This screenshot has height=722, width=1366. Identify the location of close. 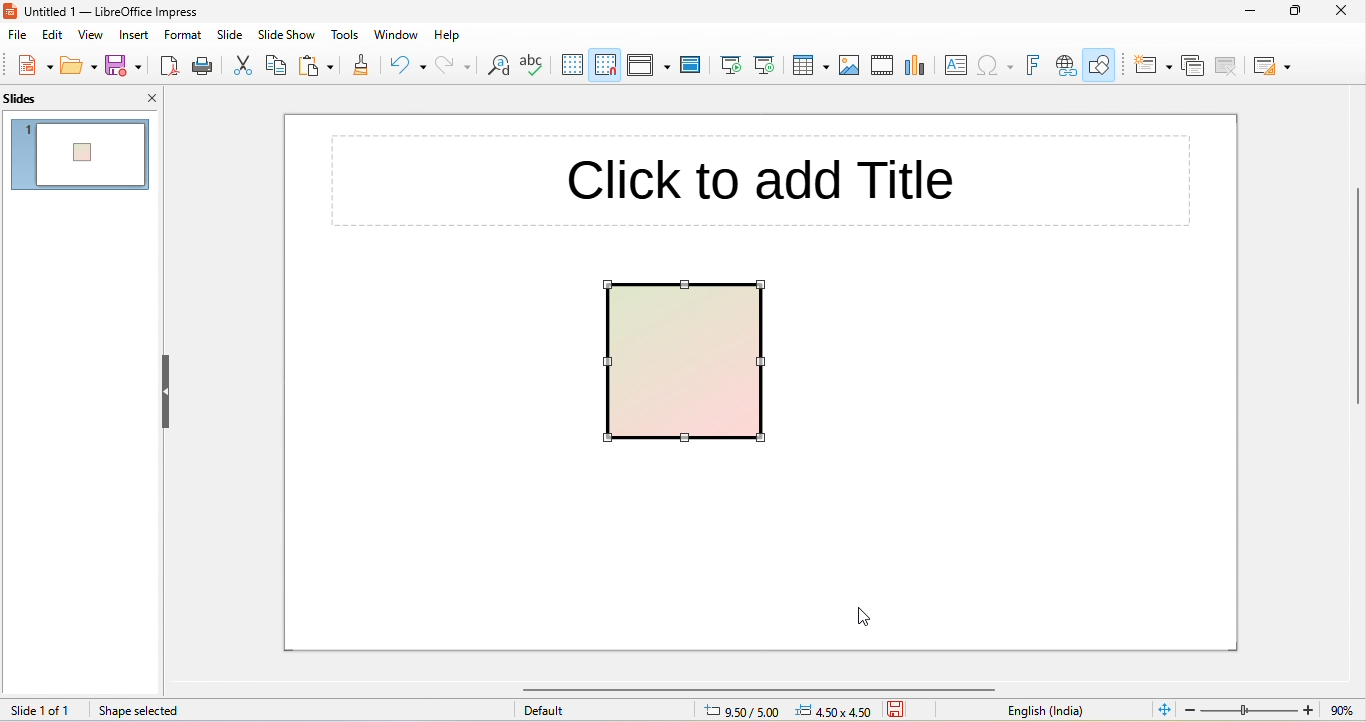
(1345, 12).